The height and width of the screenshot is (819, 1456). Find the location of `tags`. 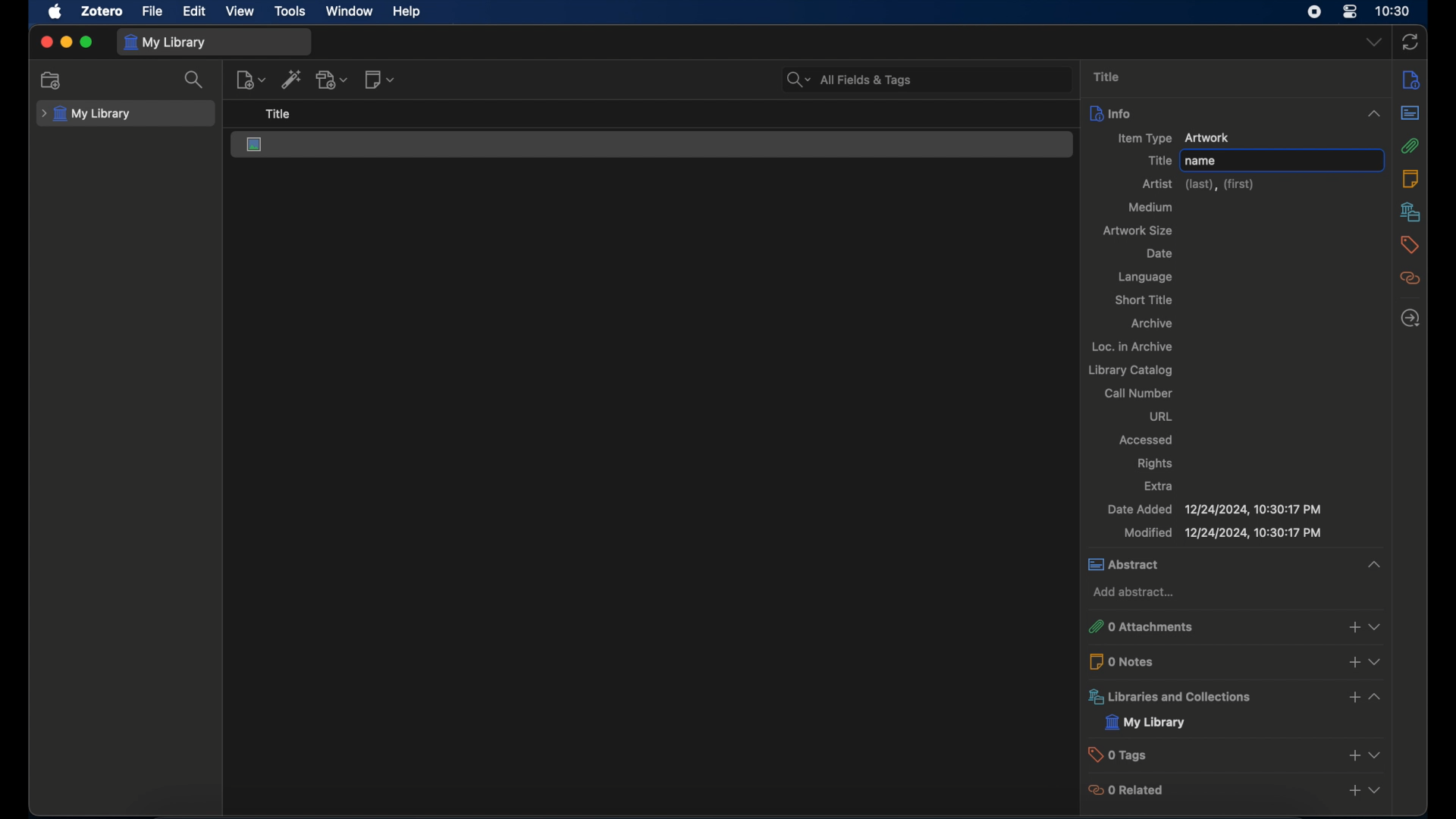

tags is located at coordinates (1407, 244).